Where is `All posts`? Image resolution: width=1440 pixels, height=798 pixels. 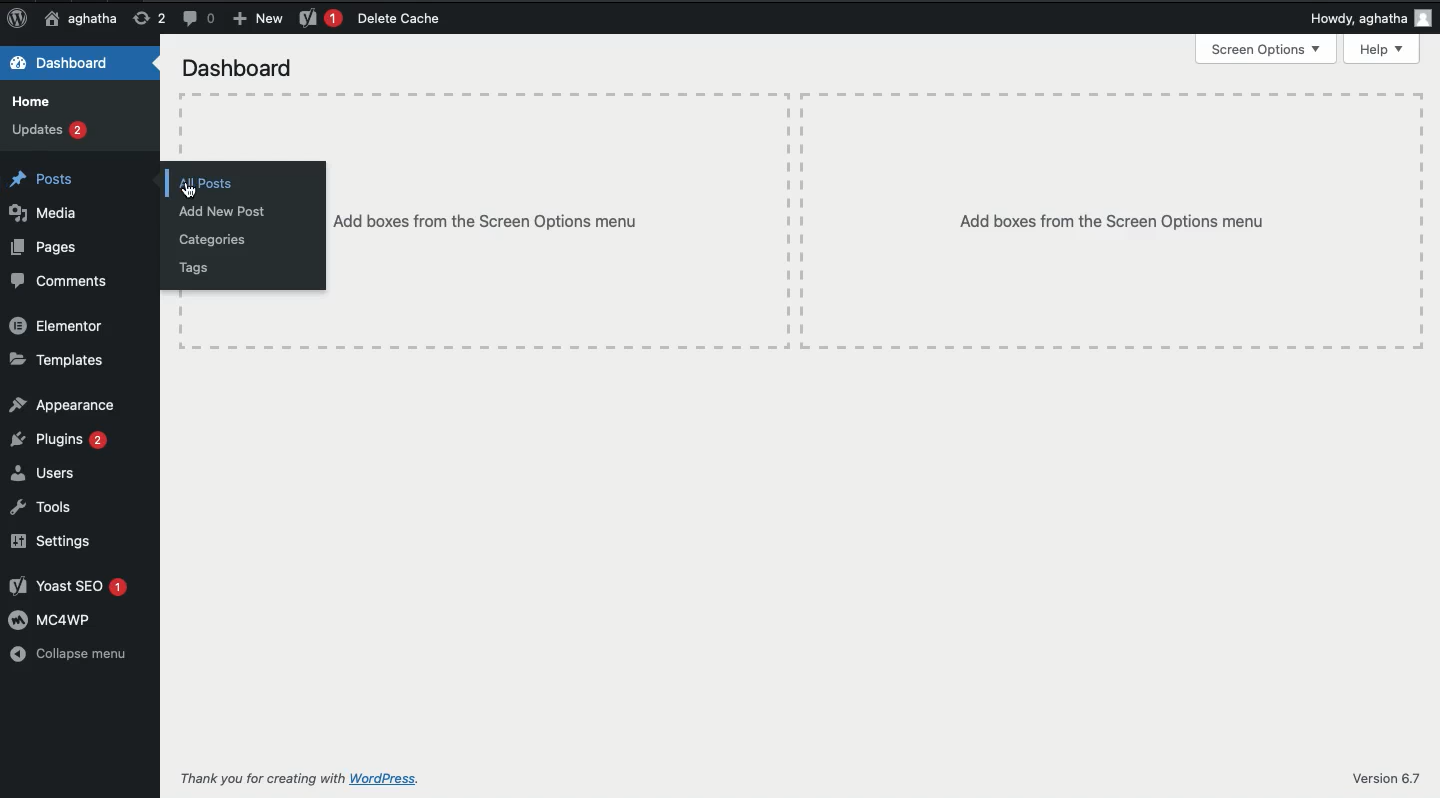
All posts is located at coordinates (201, 183).